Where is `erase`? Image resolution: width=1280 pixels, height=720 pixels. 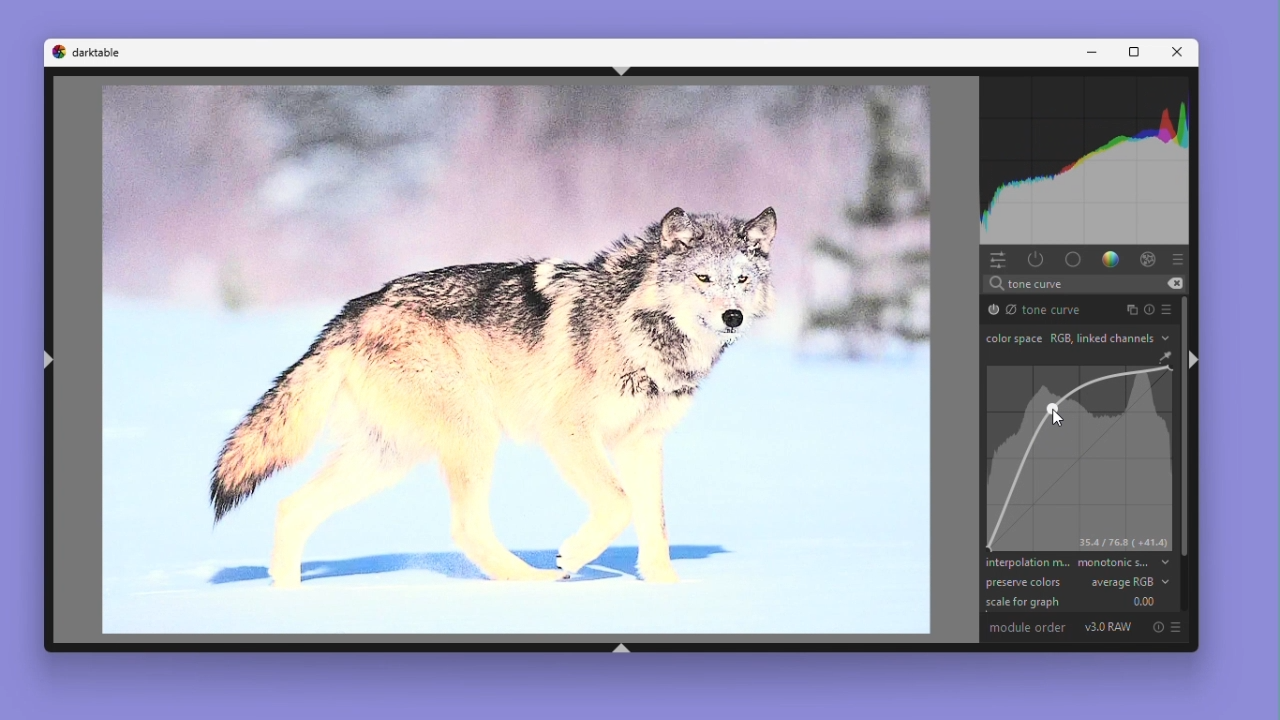
erase is located at coordinates (1174, 284).